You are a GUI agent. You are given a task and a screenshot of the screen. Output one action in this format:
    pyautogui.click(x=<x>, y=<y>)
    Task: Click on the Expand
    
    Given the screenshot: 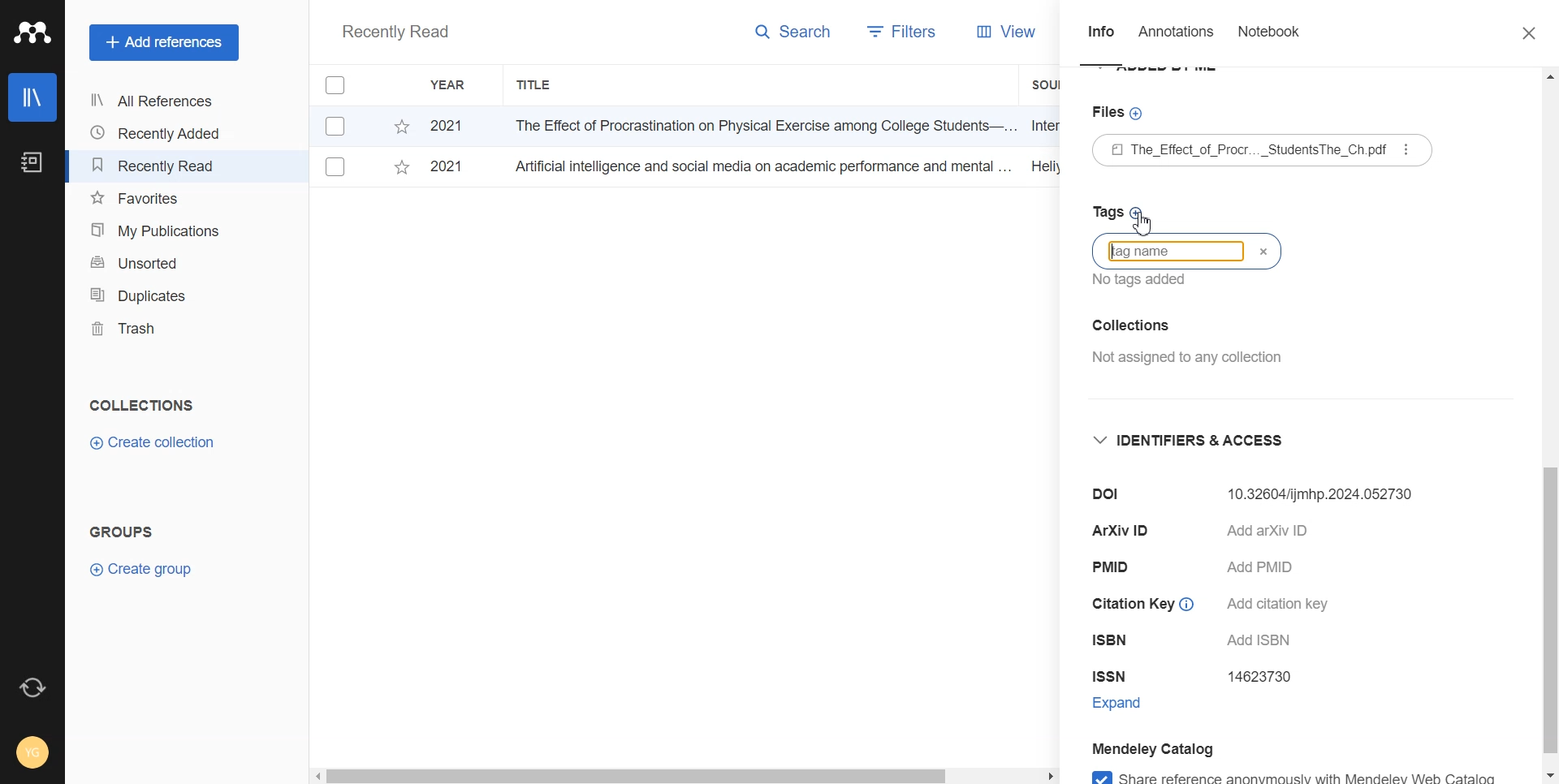 What is the action you would take?
    pyautogui.click(x=1134, y=706)
    